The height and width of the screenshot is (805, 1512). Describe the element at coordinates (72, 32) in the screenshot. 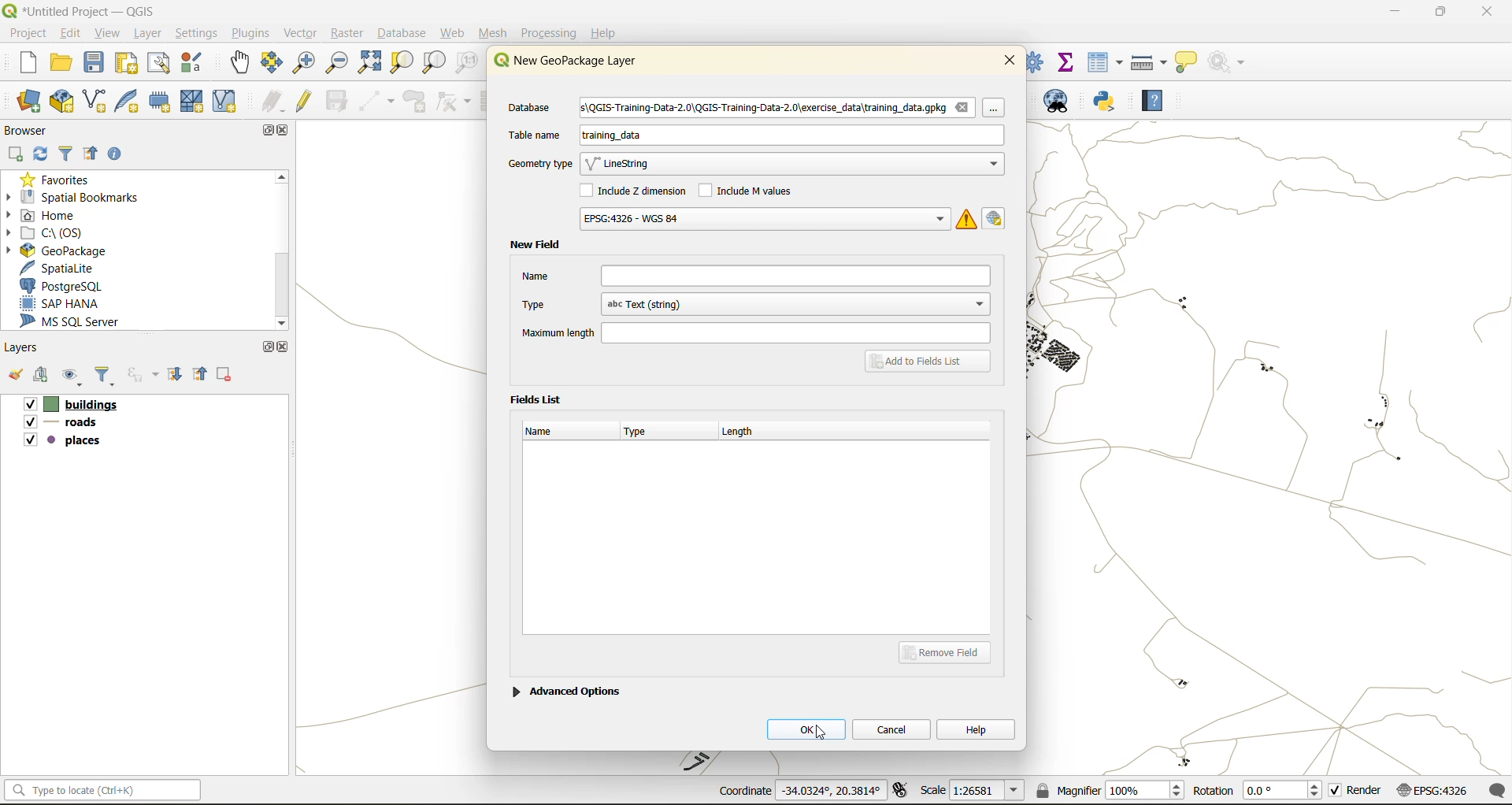

I see `edit` at that location.